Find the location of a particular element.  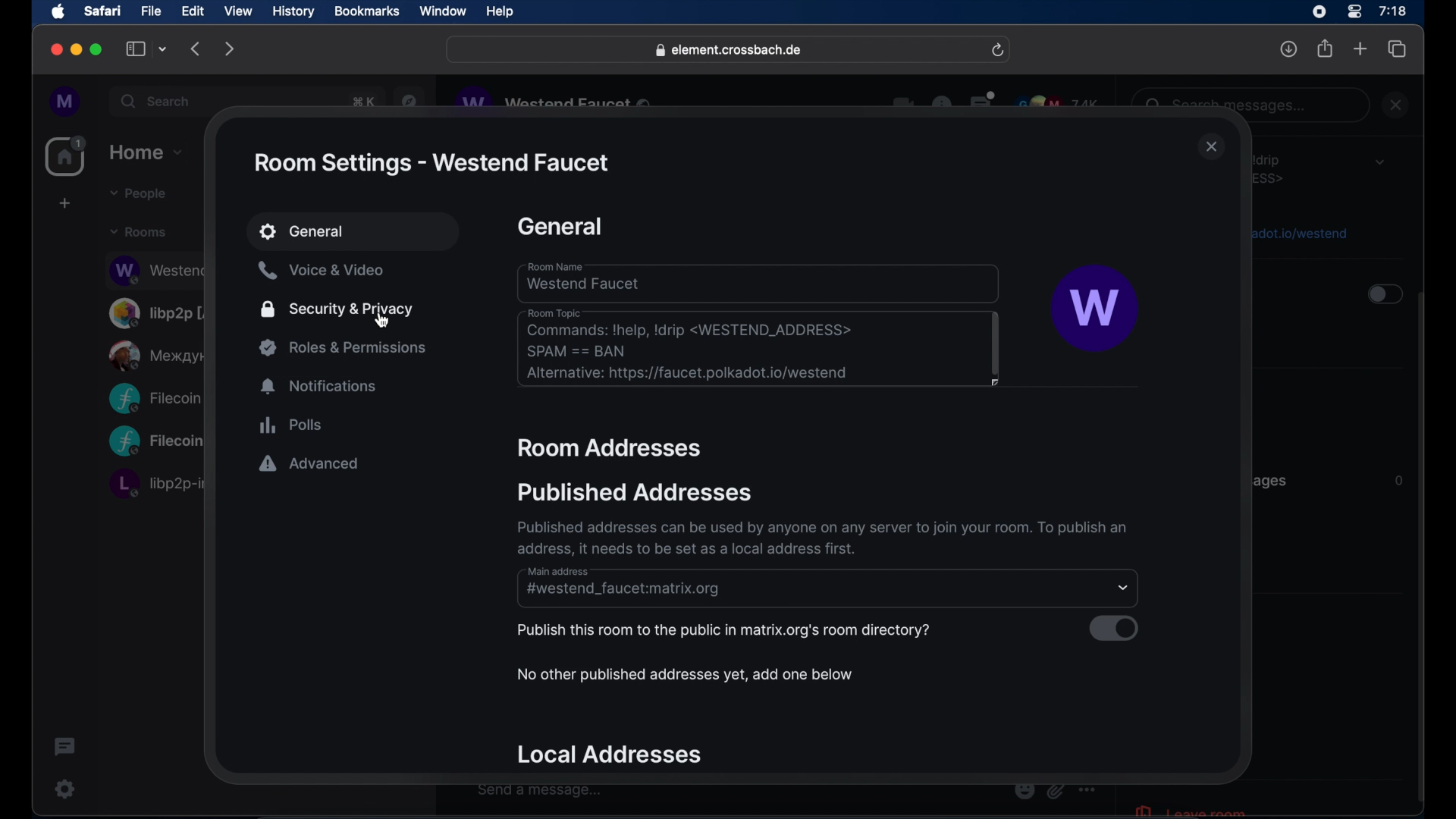

edit is located at coordinates (193, 11).